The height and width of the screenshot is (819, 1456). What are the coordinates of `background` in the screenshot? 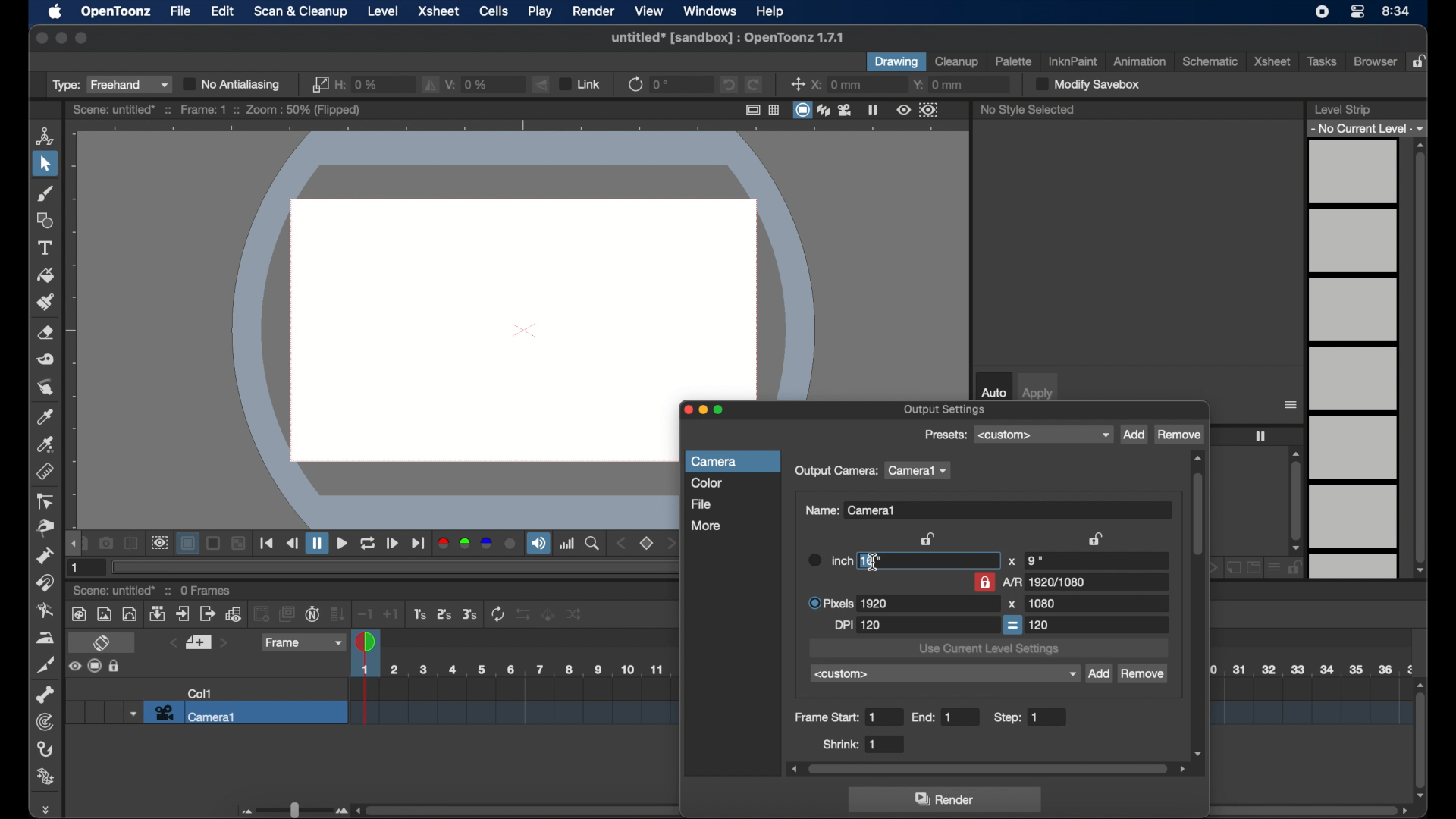 It's located at (190, 544).